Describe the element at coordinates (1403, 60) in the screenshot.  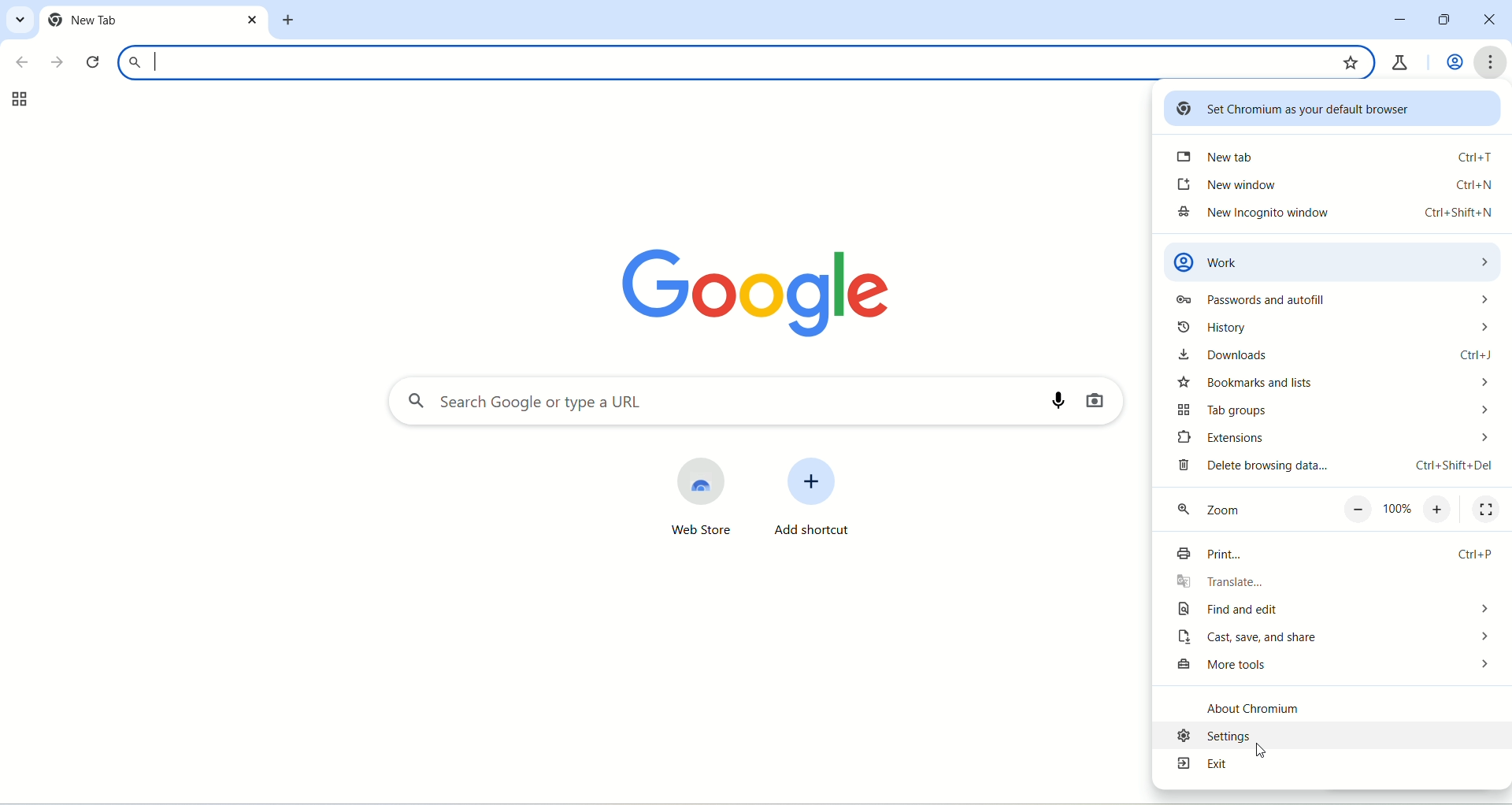
I see `chrome labs` at that location.